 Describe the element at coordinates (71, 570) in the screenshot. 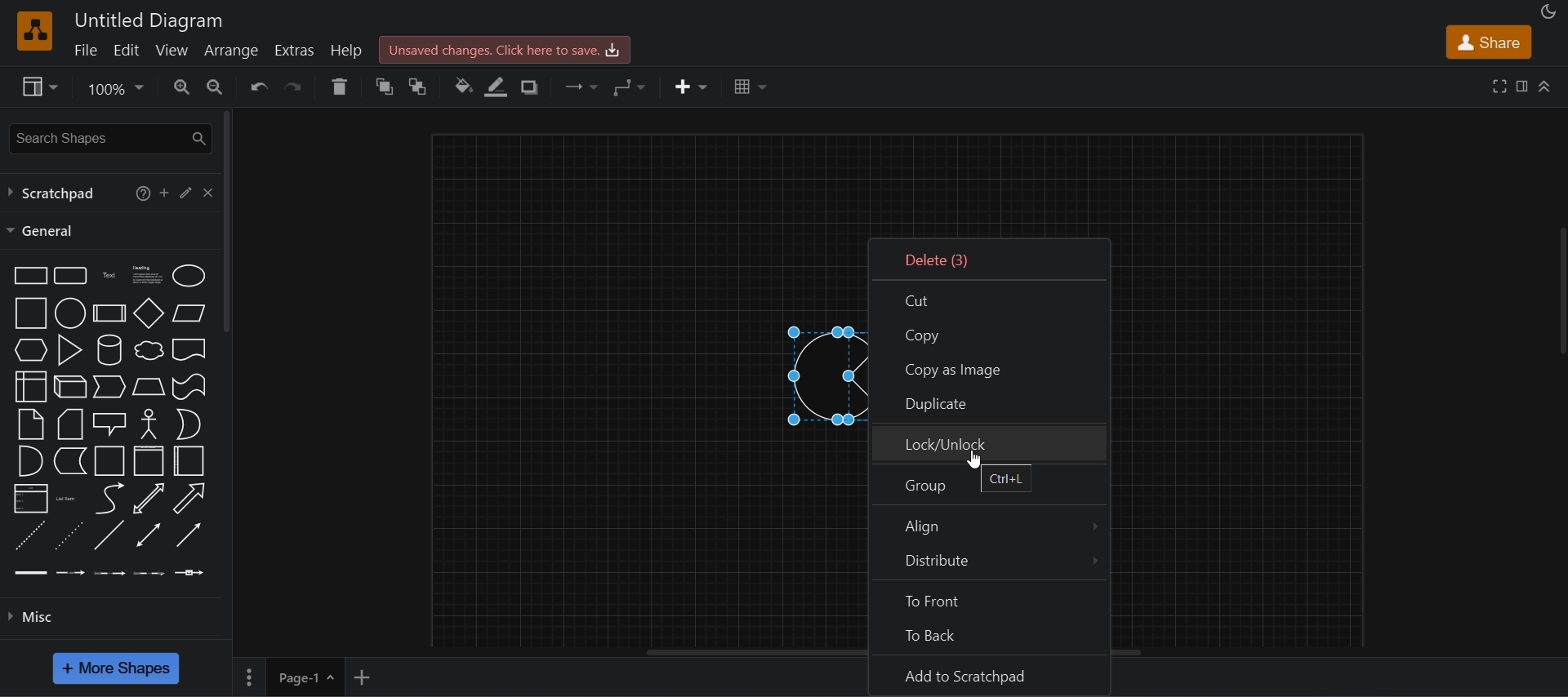

I see `connector with label` at that location.